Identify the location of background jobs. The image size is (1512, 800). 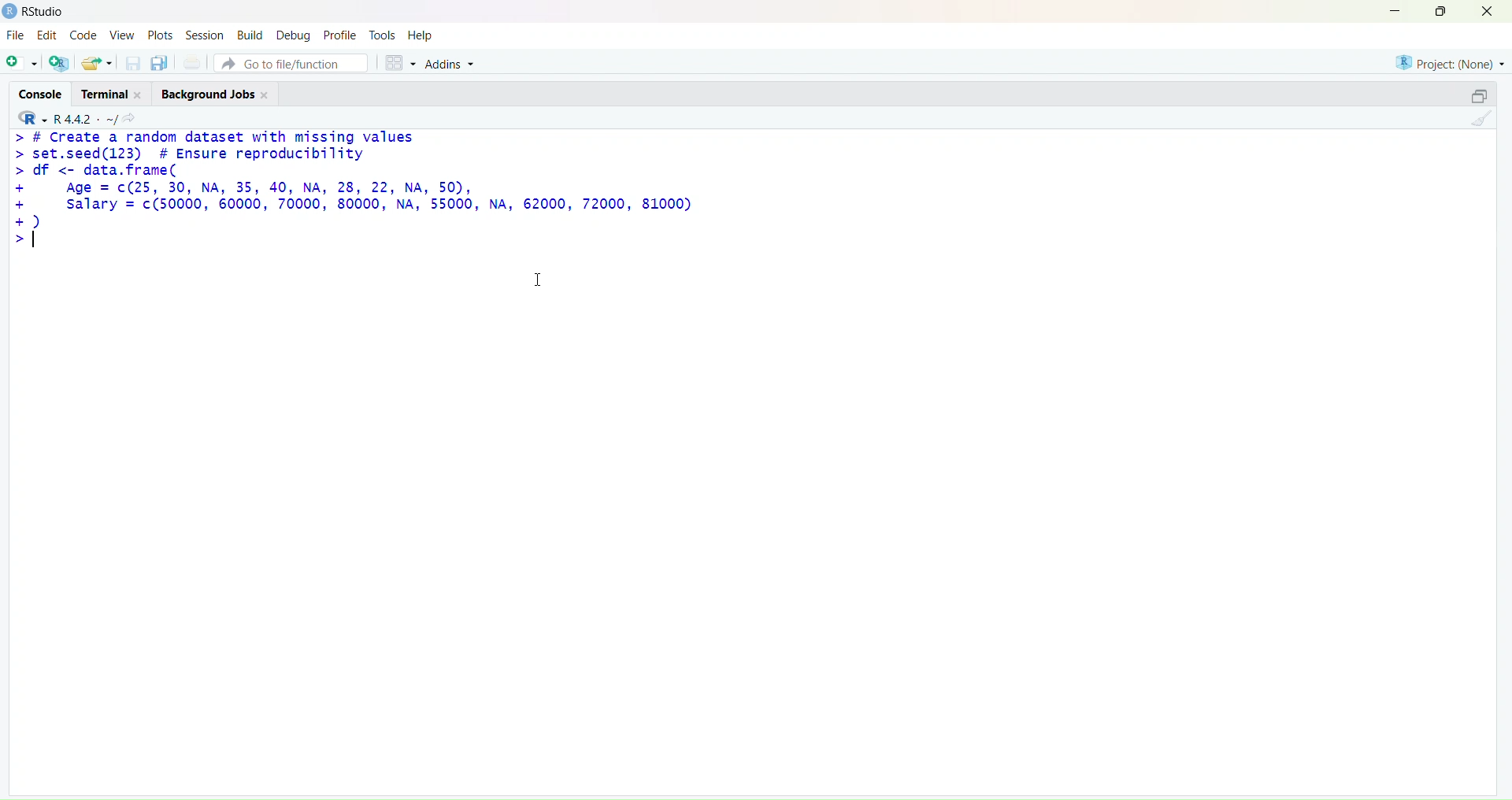
(219, 94).